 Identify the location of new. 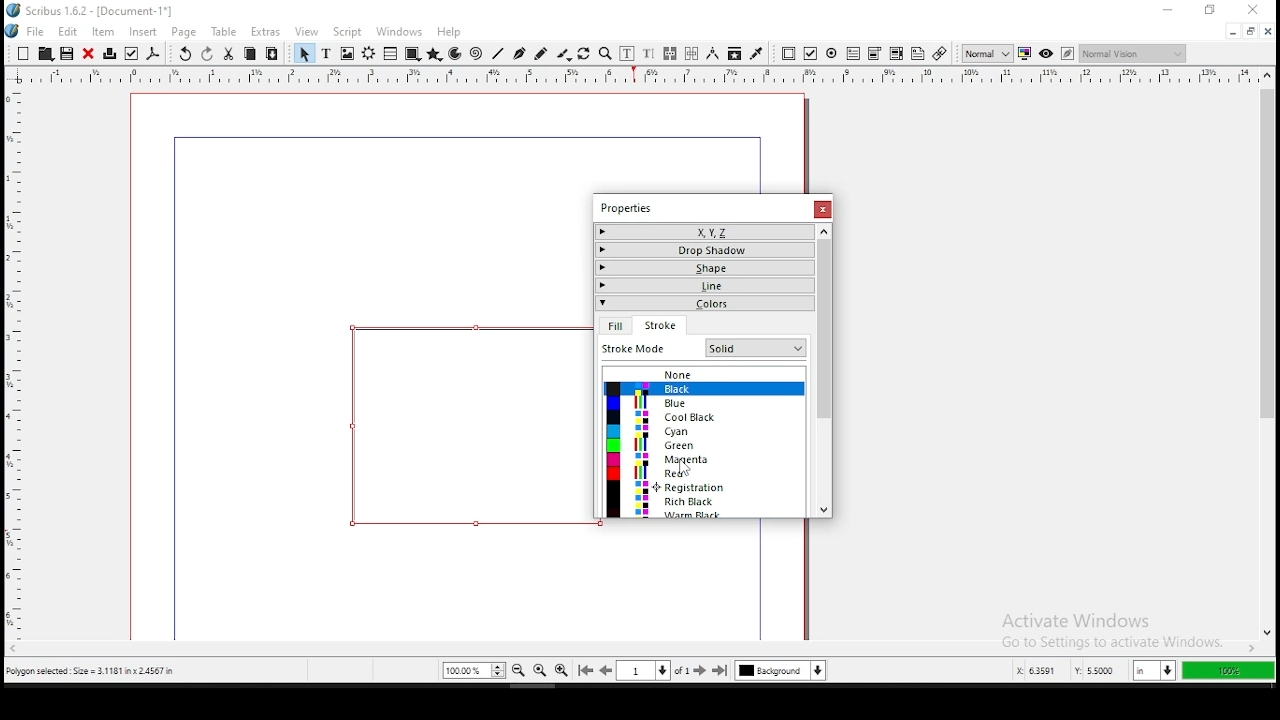
(23, 52).